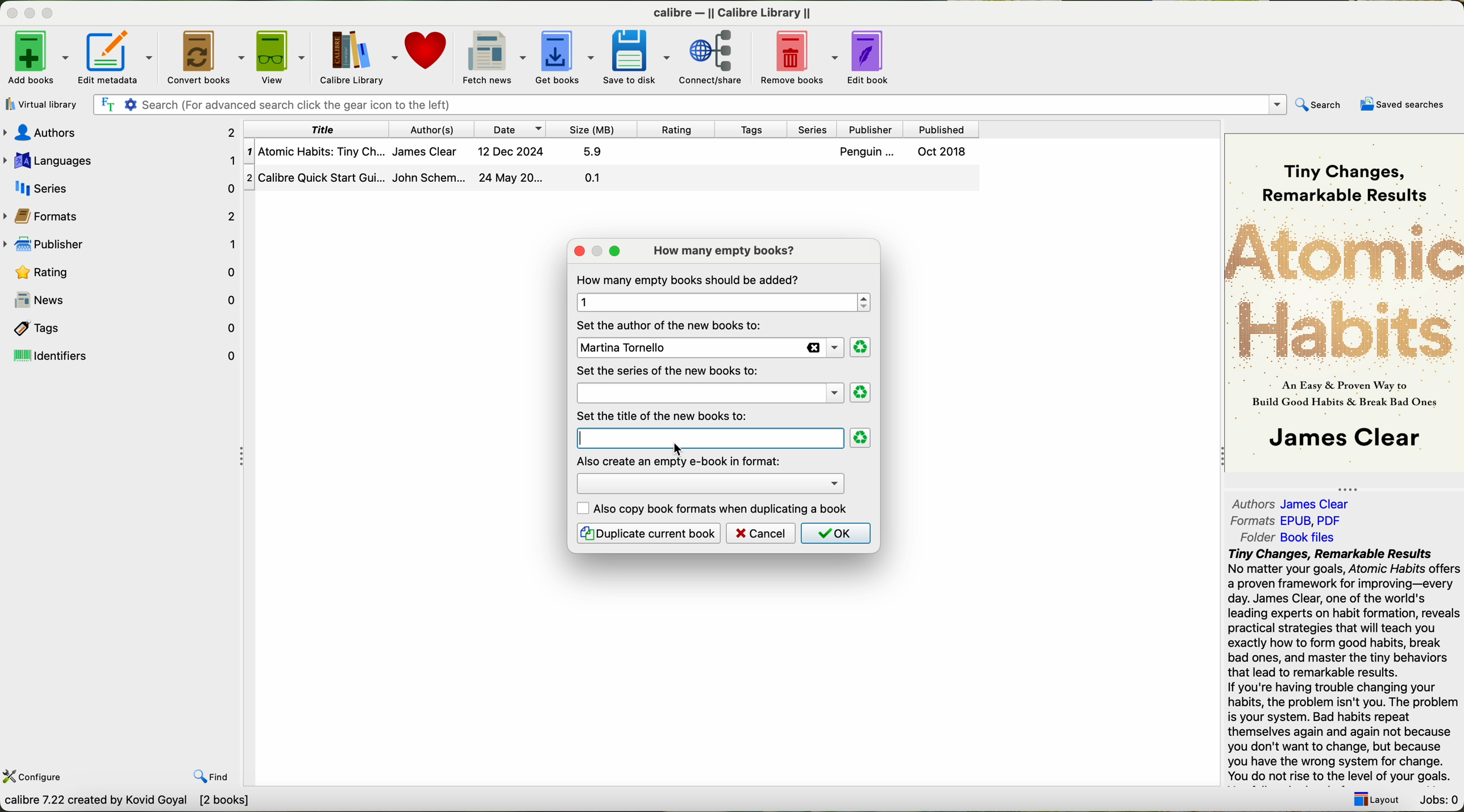 This screenshot has width=1464, height=812. What do you see at coordinates (710, 372) in the screenshot?
I see `james clear` at bounding box center [710, 372].